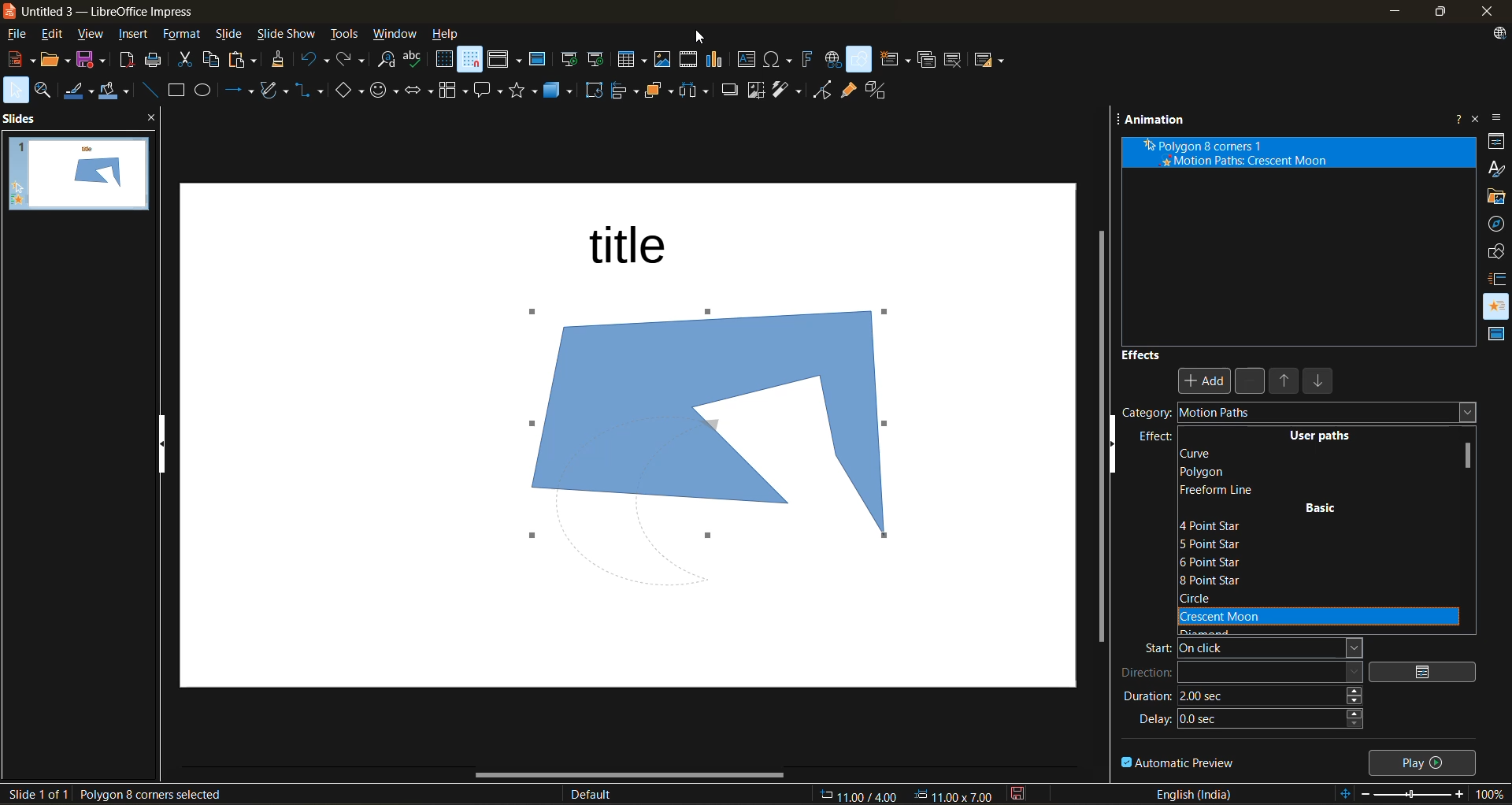  Describe the element at coordinates (443, 61) in the screenshot. I see `display grid` at that location.